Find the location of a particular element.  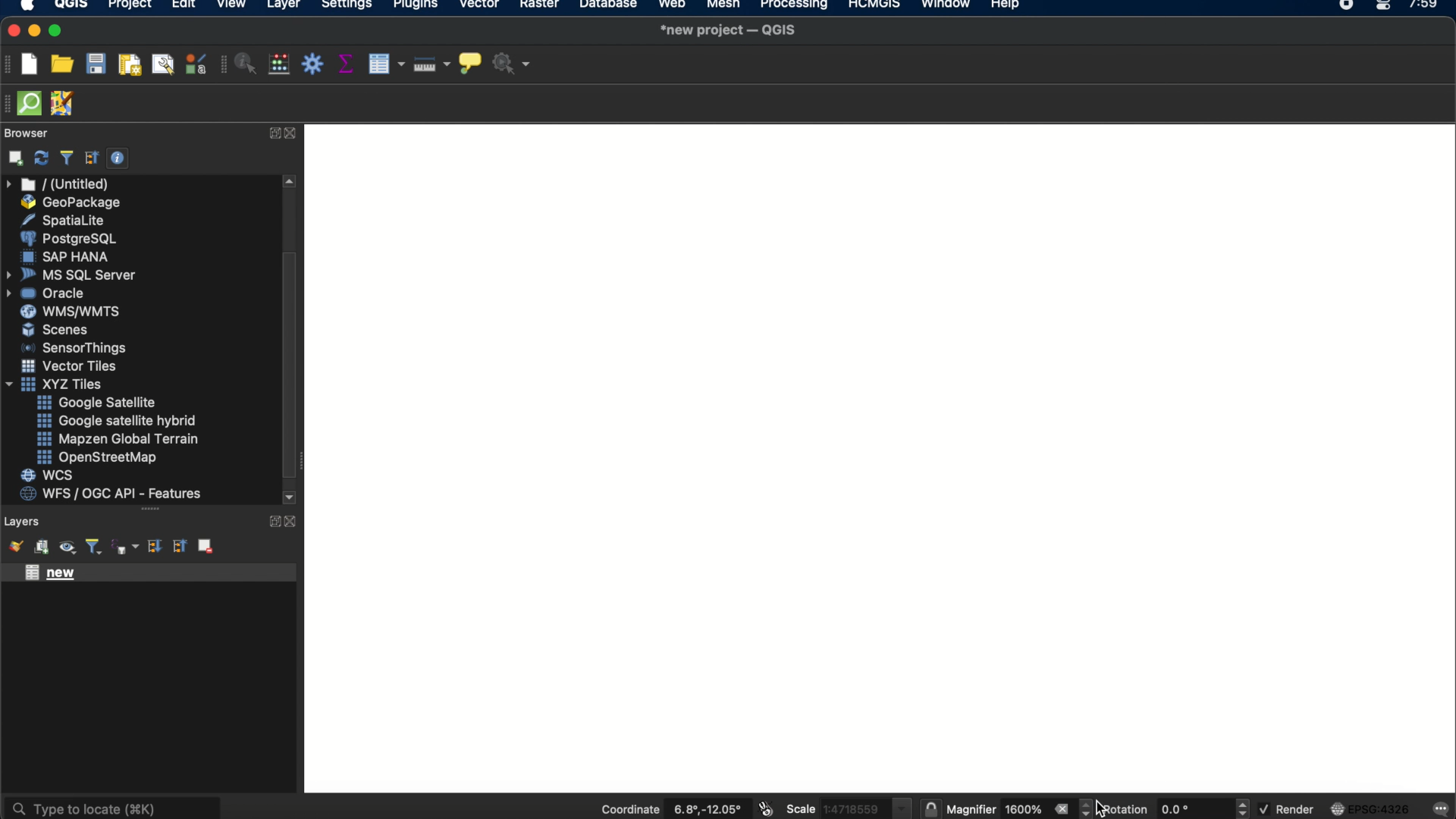

spatiallite is located at coordinates (66, 220).